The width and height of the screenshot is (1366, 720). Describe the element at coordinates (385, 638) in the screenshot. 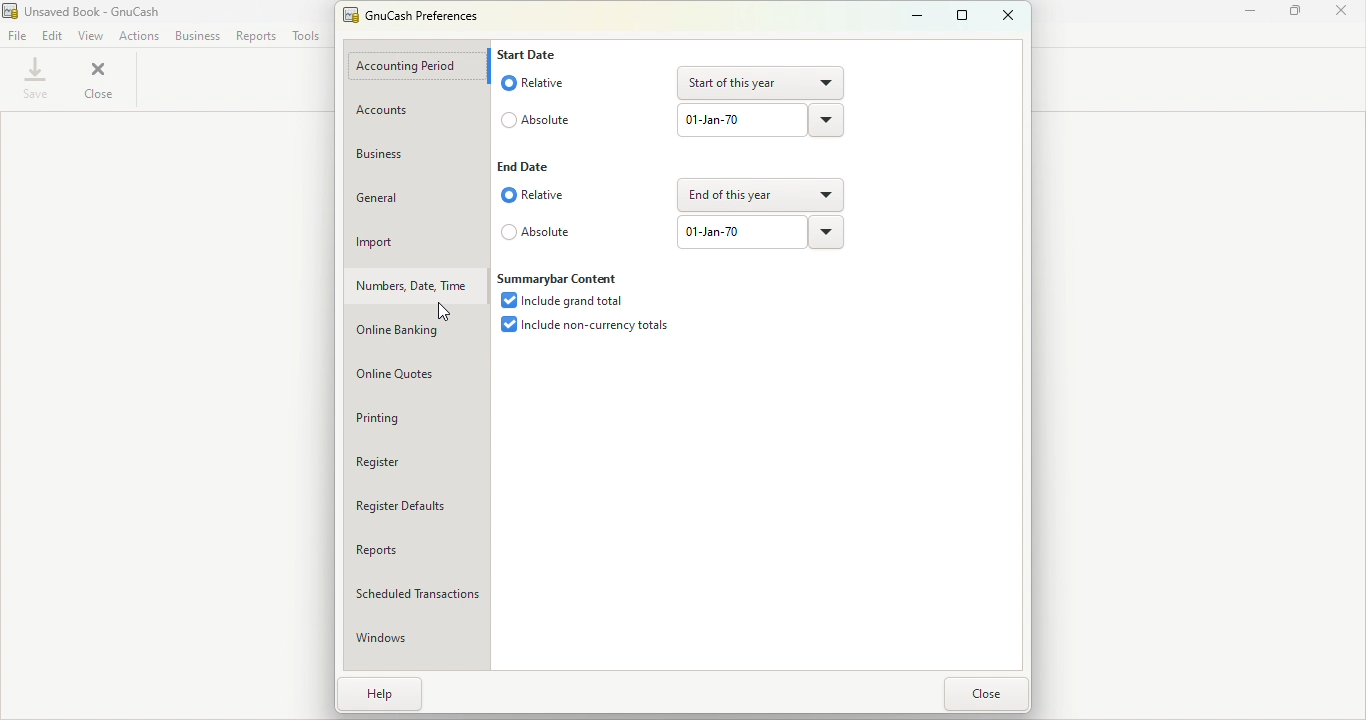

I see `Windows` at that location.